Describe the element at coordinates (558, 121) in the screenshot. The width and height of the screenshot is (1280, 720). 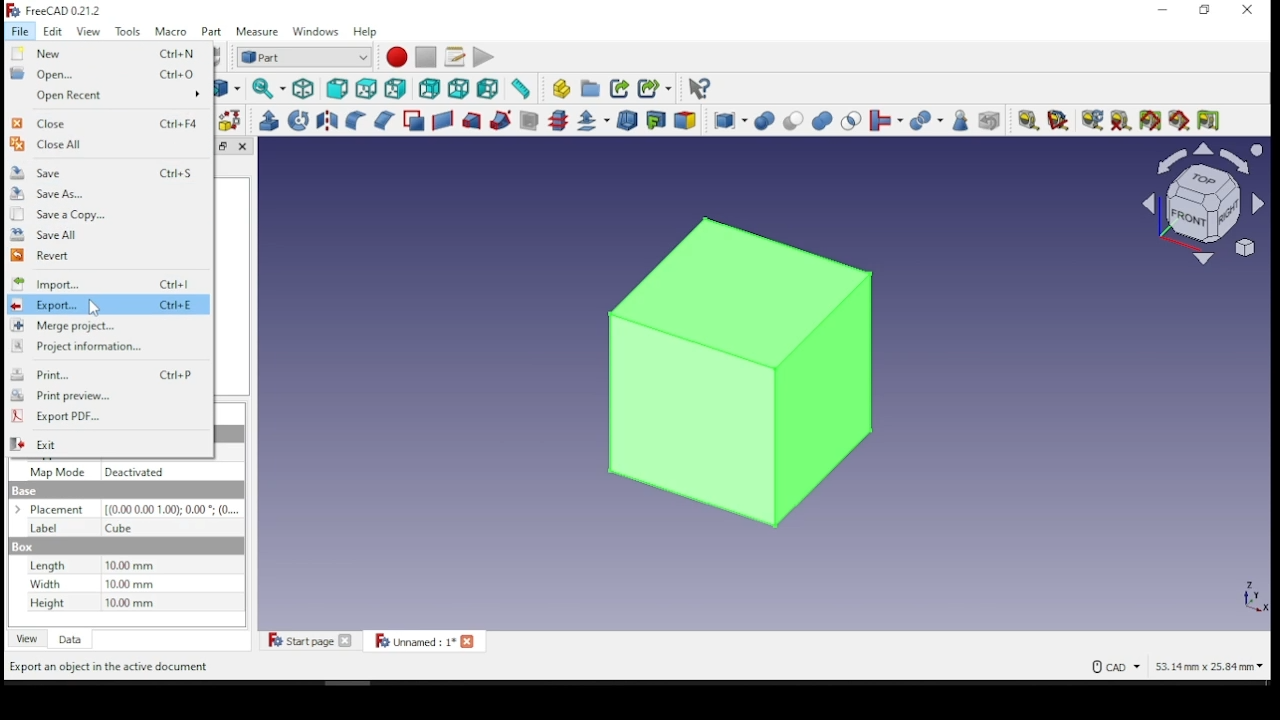
I see `cross sections` at that location.